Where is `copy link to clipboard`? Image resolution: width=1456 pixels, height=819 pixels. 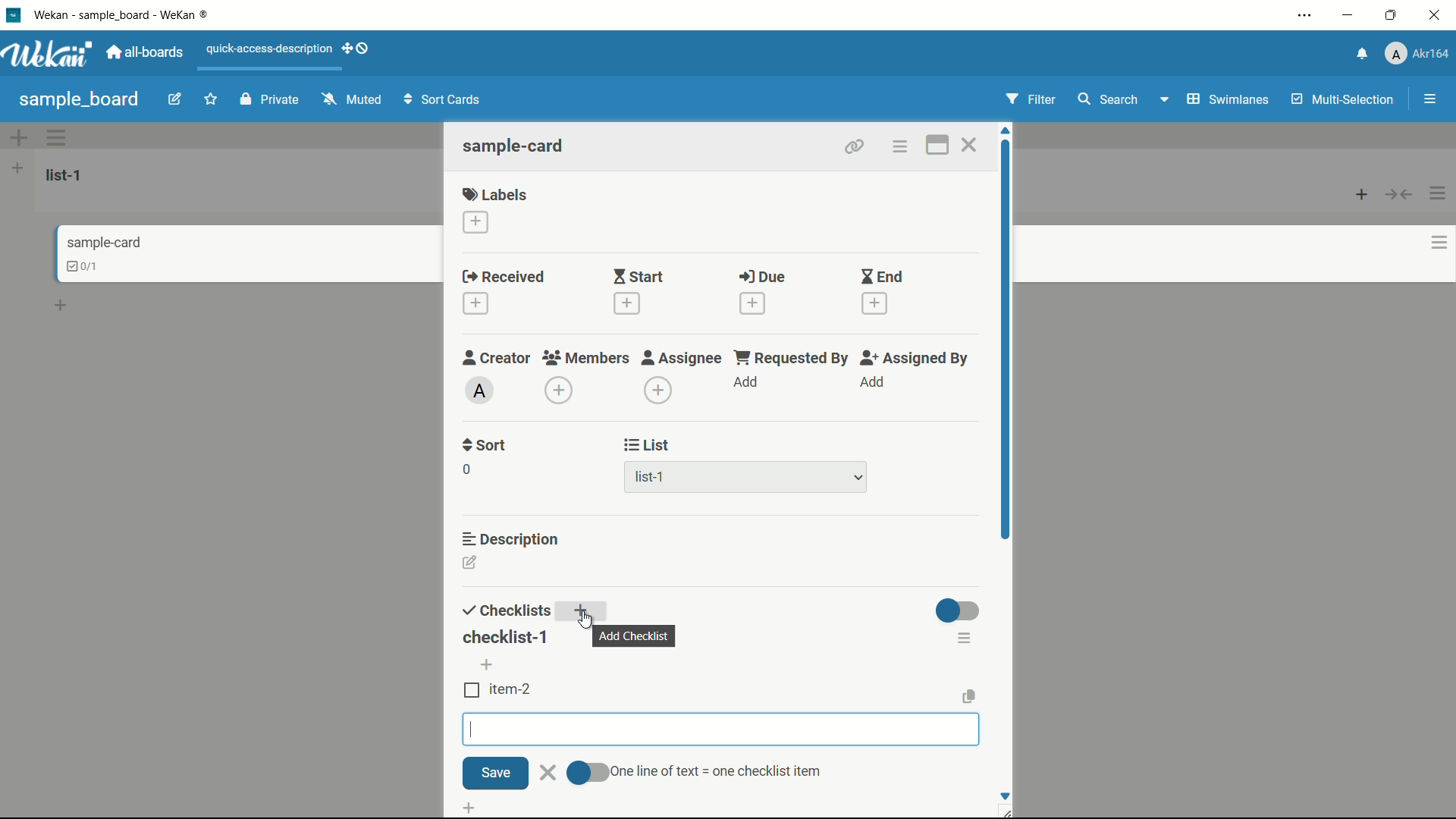
copy link to clipboard is located at coordinates (852, 146).